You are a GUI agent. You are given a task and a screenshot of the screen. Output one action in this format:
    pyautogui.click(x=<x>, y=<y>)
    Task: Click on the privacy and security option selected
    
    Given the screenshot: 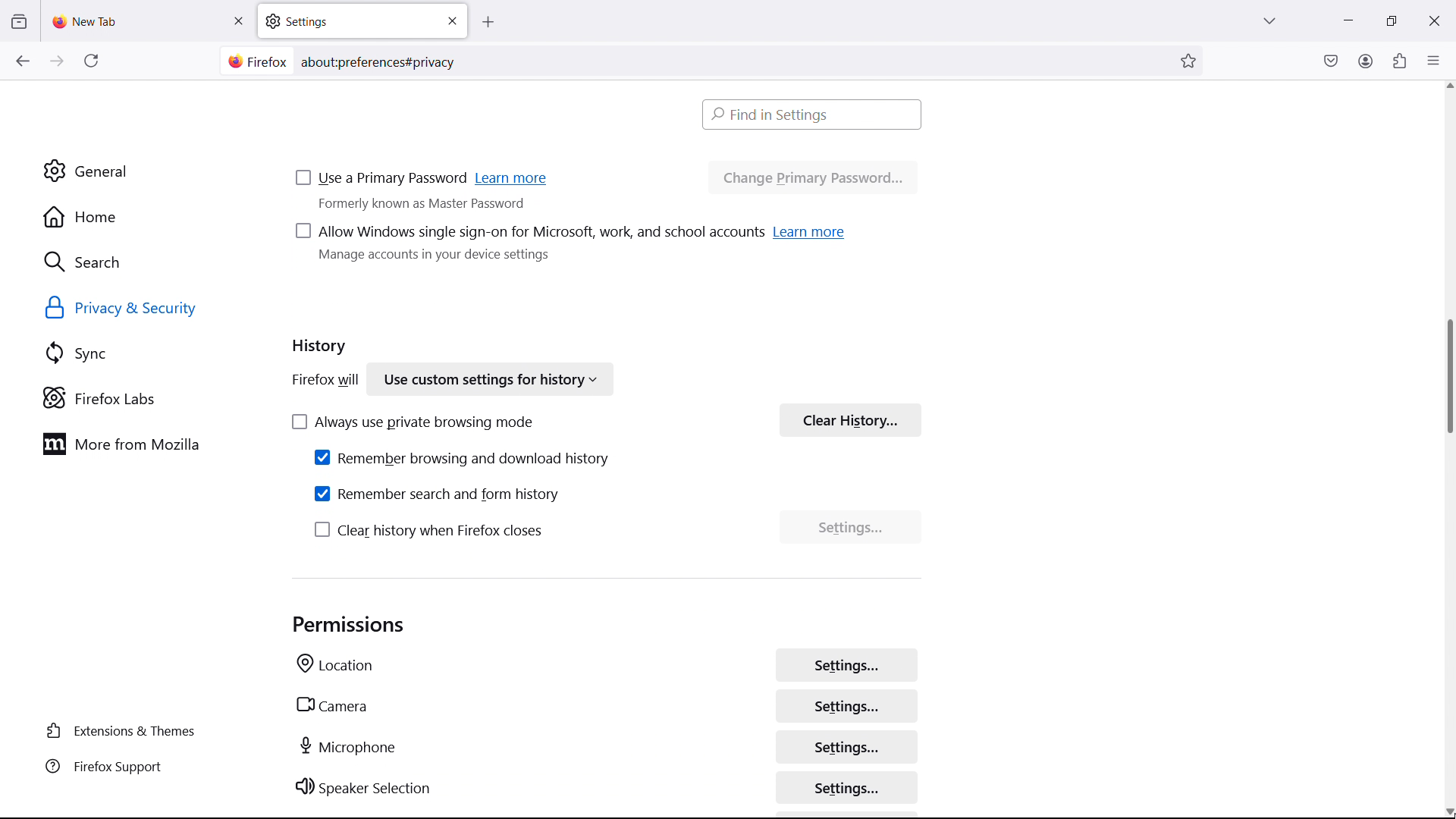 What is the action you would take?
    pyautogui.click(x=139, y=309)
    